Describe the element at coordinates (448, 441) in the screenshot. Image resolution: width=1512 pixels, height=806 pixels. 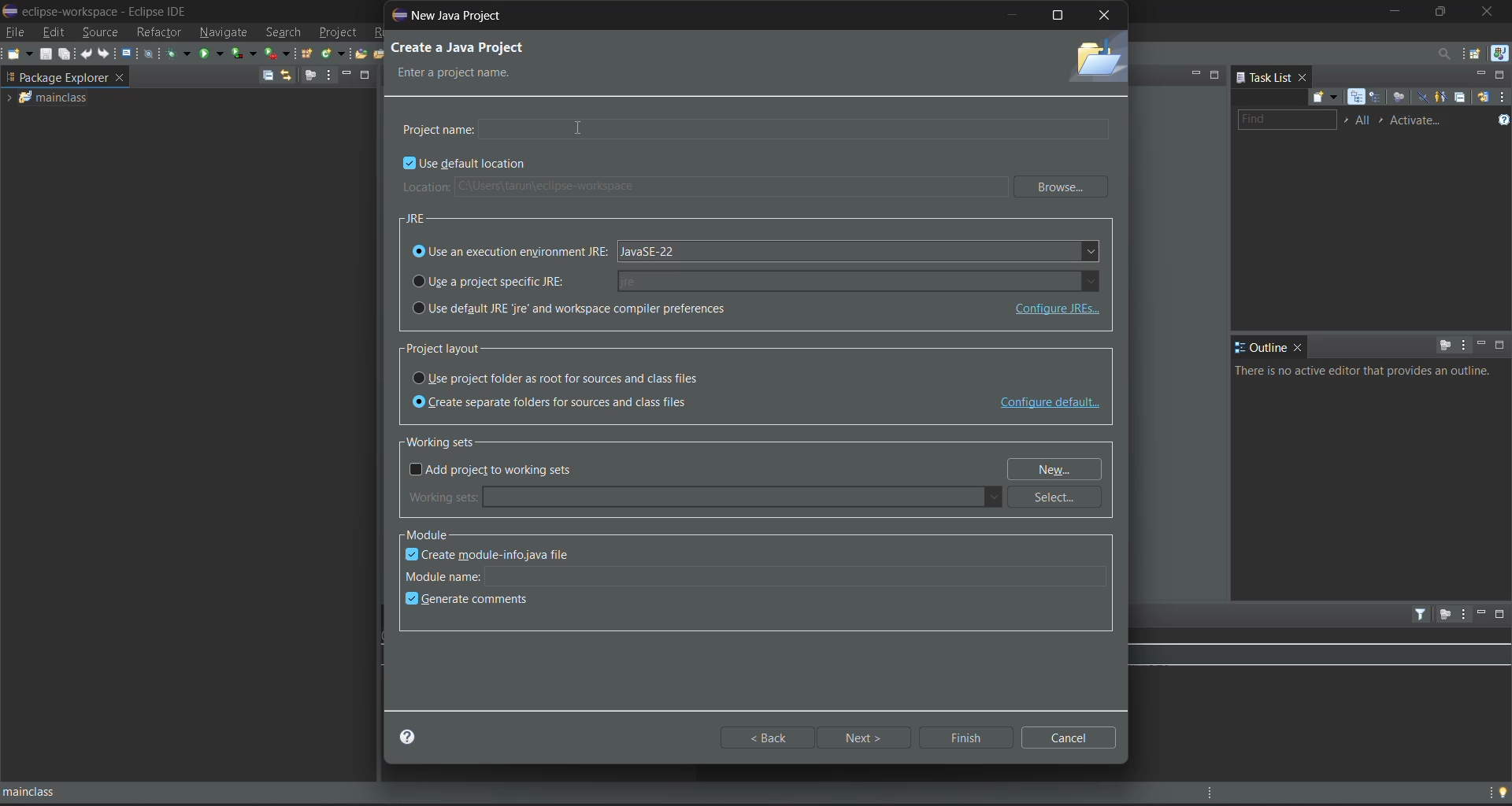
I see `working sets` at that location.